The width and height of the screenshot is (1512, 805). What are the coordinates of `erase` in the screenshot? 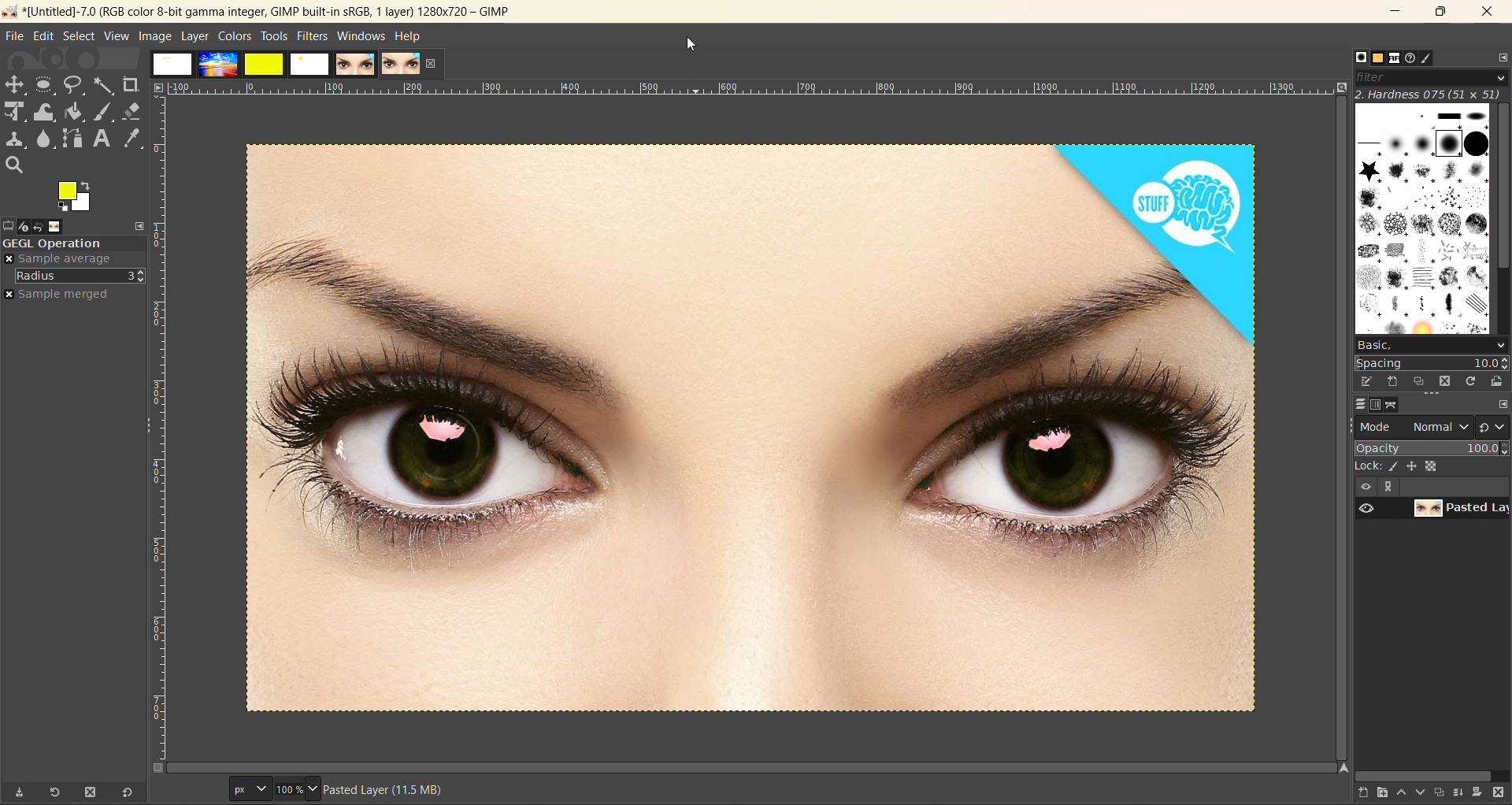 It's located at (133, 111).